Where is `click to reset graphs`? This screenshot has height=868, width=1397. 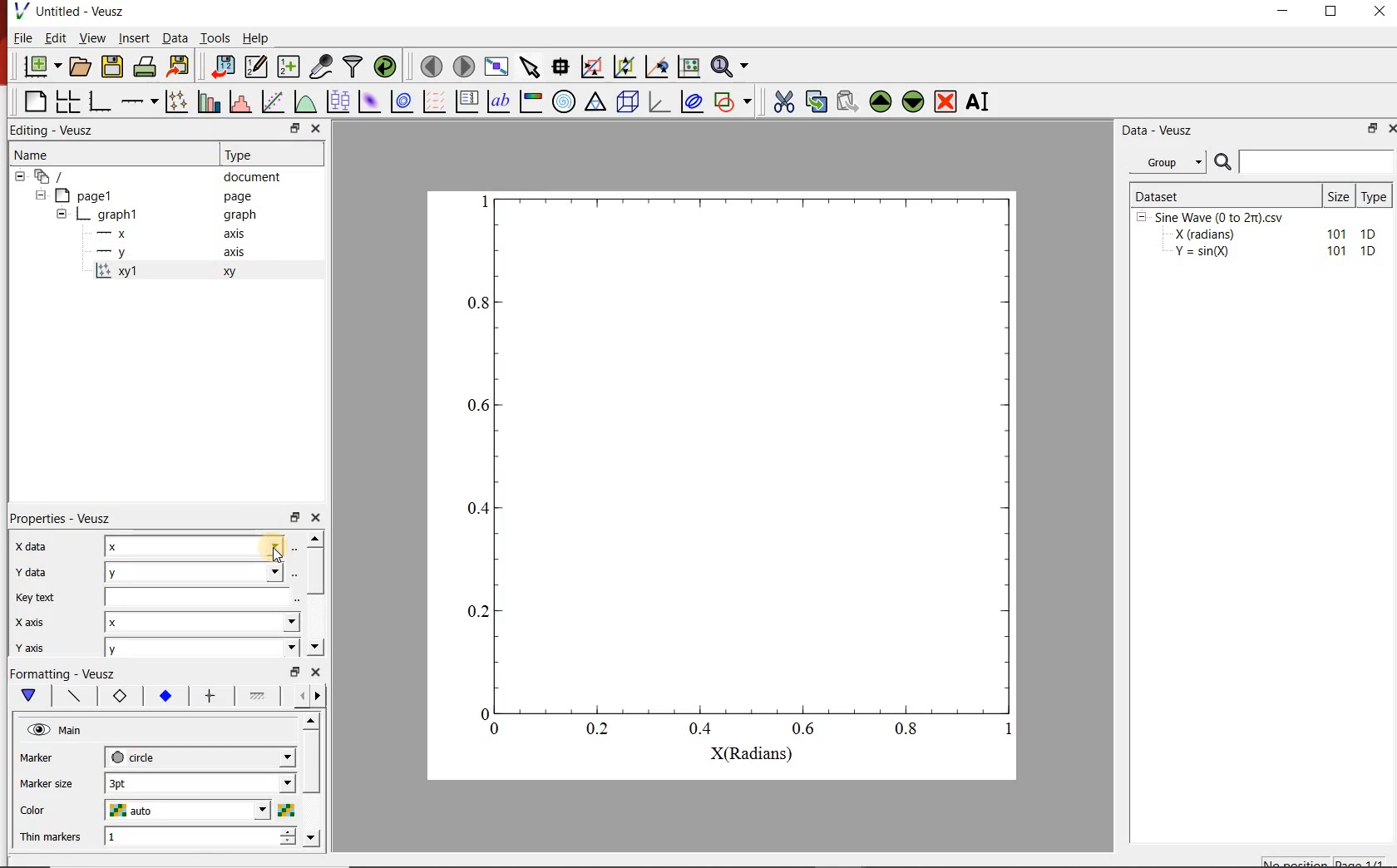
click to reset graphs is located at coordinates (689, 66).